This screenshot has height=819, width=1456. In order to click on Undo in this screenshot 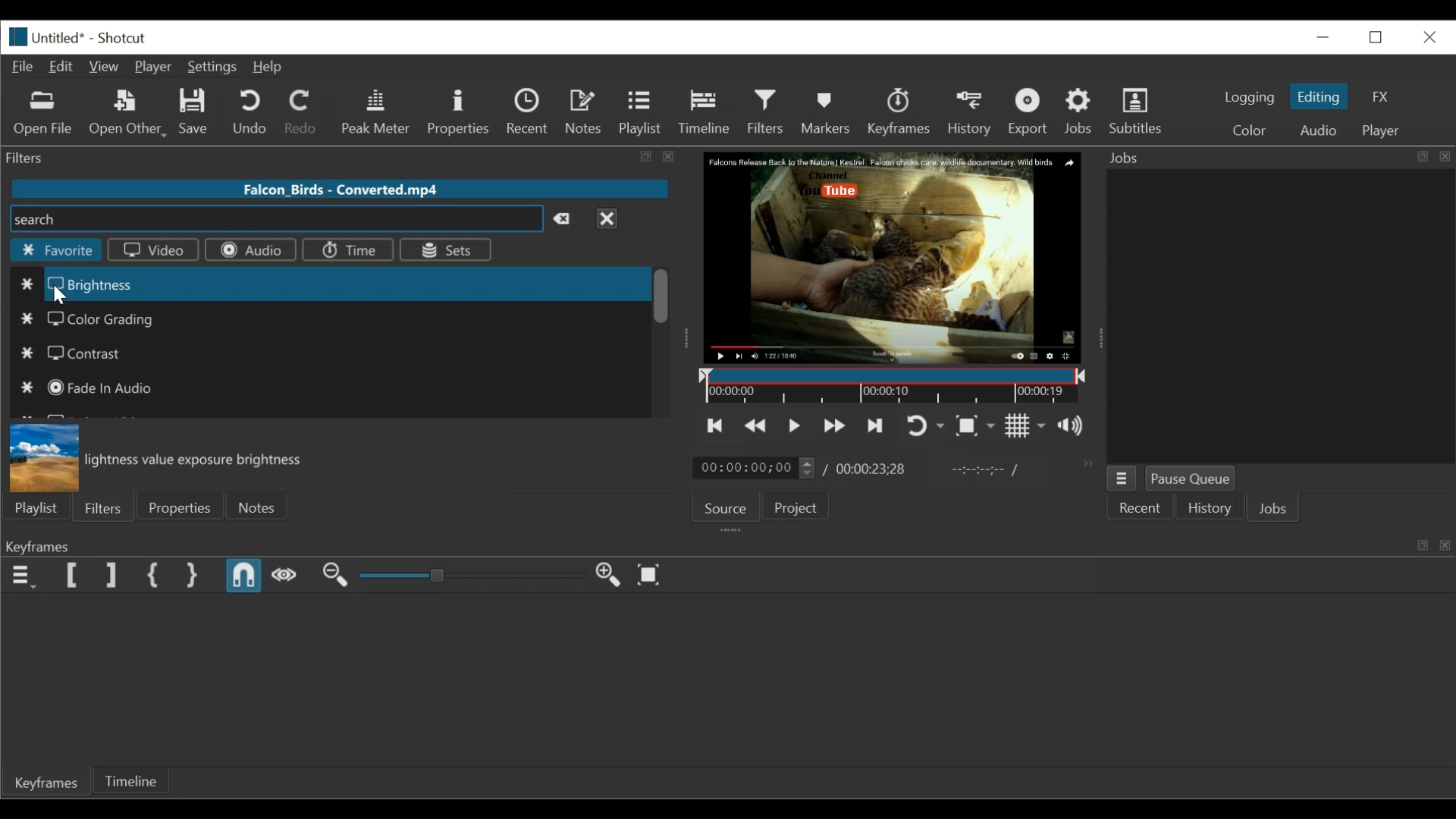, I will do `click(253, 113)`.